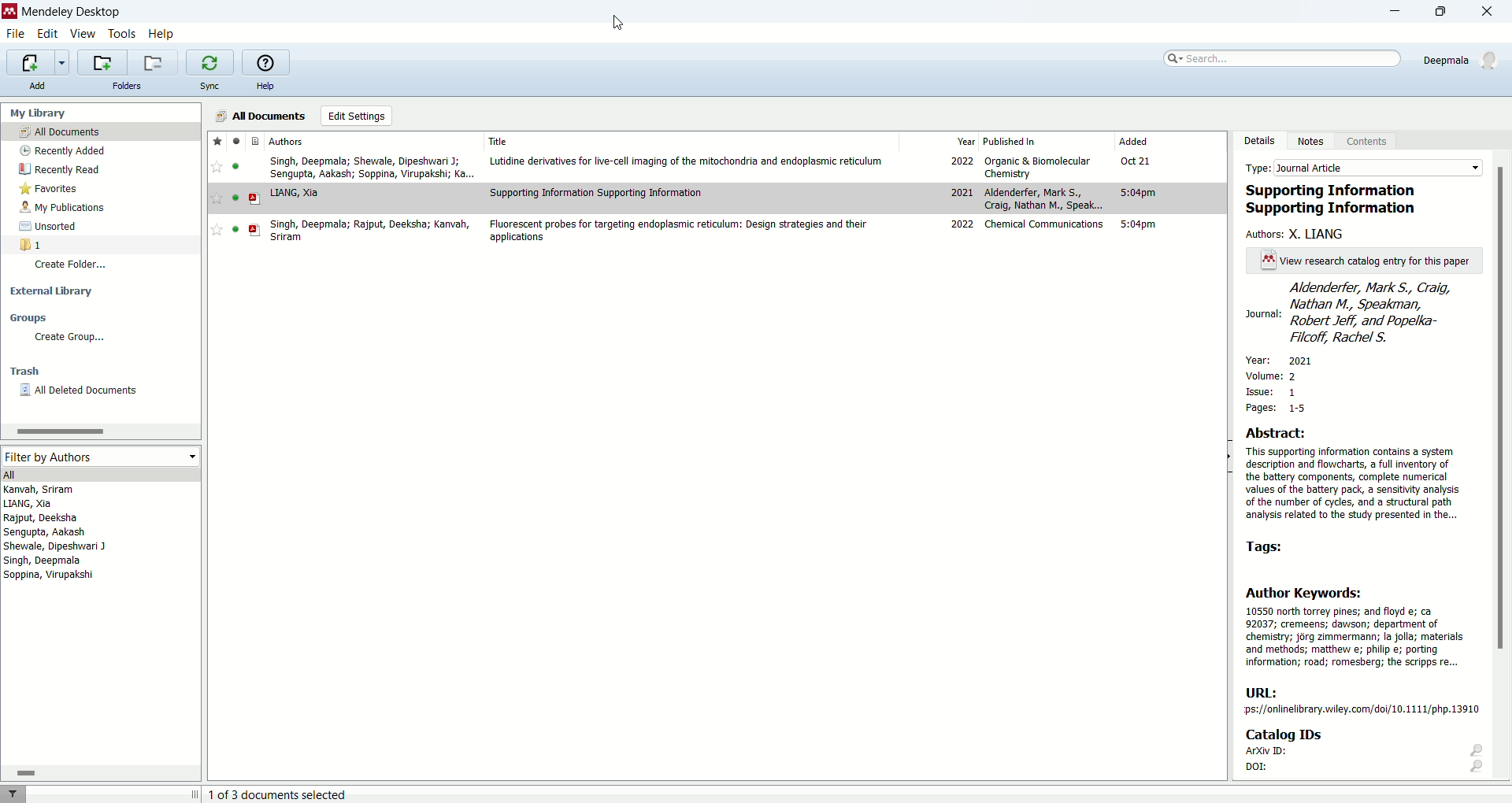 The image size is (1512, 803). I want to click on edit settings, so click(356, 116).